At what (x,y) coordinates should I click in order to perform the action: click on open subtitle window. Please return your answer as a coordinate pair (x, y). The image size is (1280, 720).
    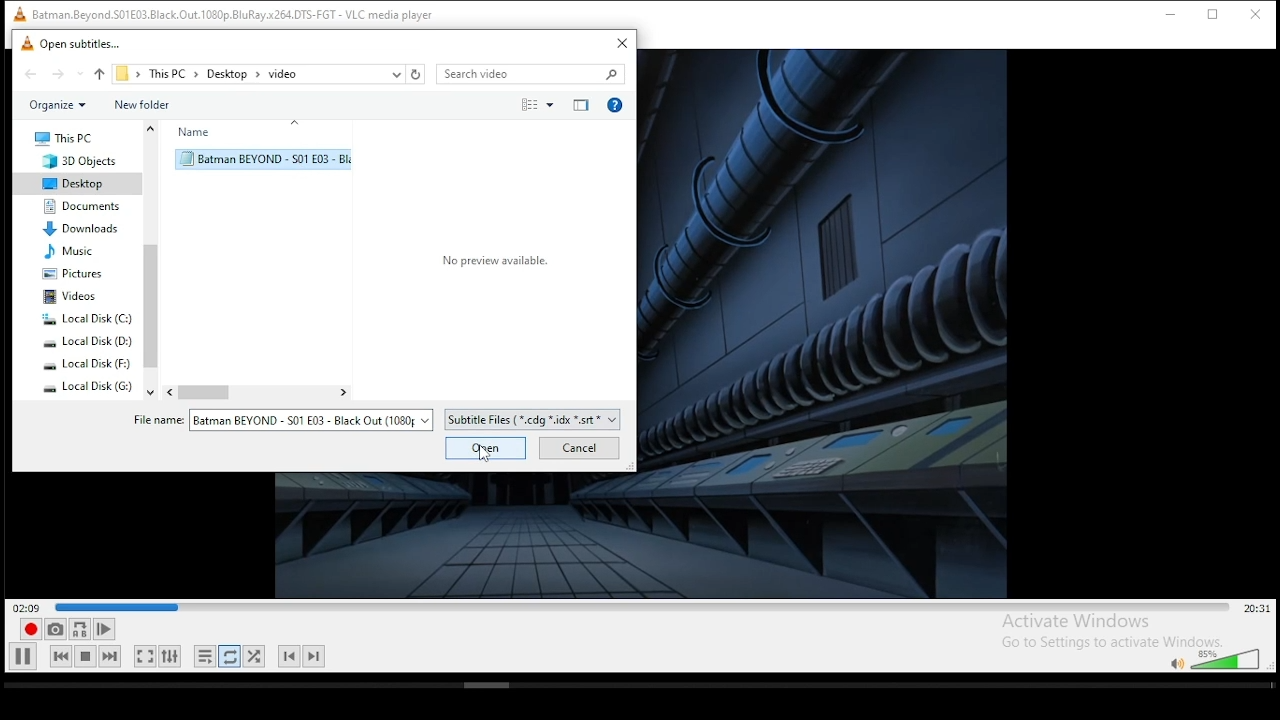
    Looking at the image, I should click on (76, 45).